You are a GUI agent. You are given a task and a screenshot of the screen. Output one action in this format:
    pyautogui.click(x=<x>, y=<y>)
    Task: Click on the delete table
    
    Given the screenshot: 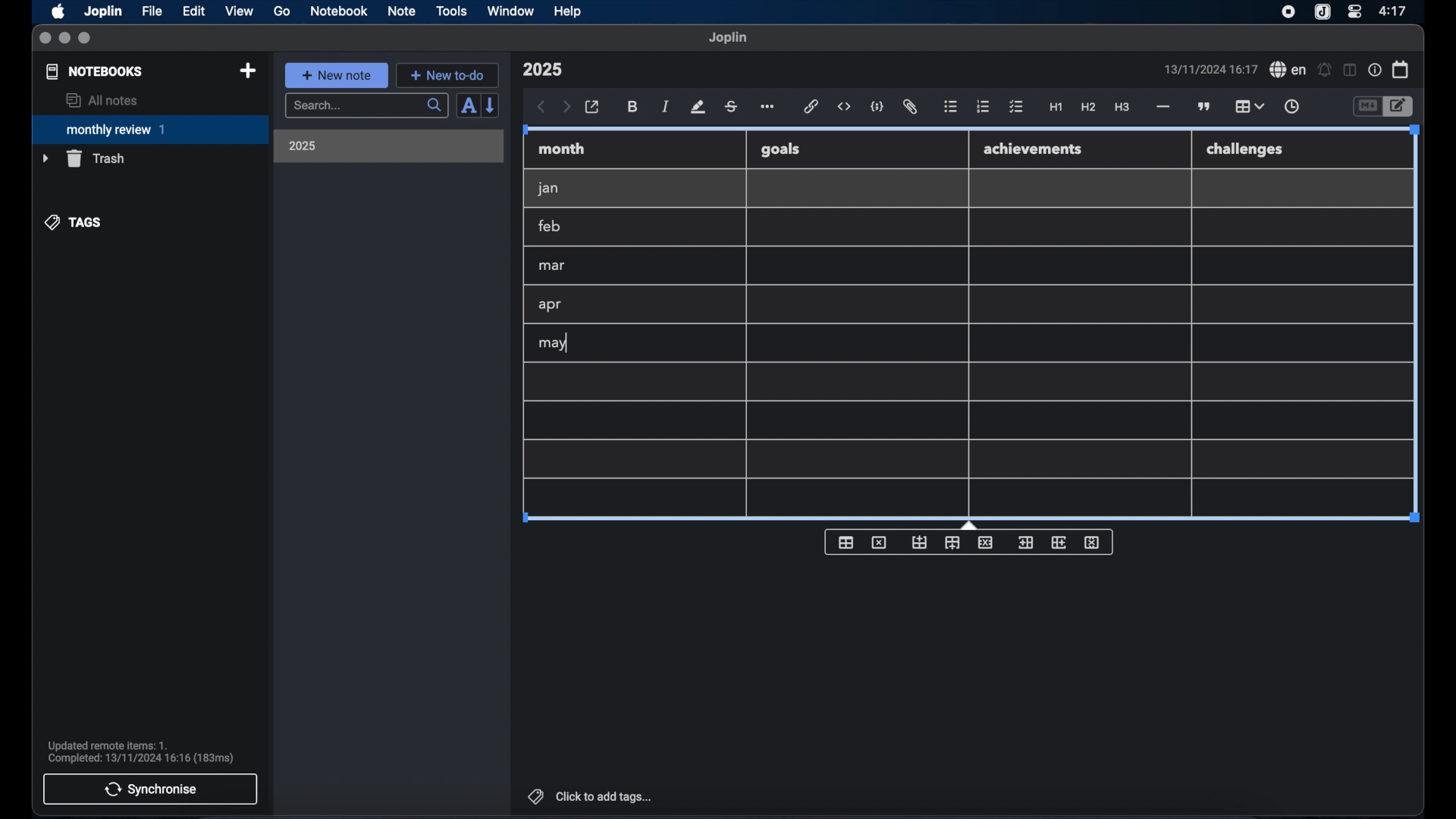 What is the action you would take?
    pyautogui.click(x=879, y=543)
    